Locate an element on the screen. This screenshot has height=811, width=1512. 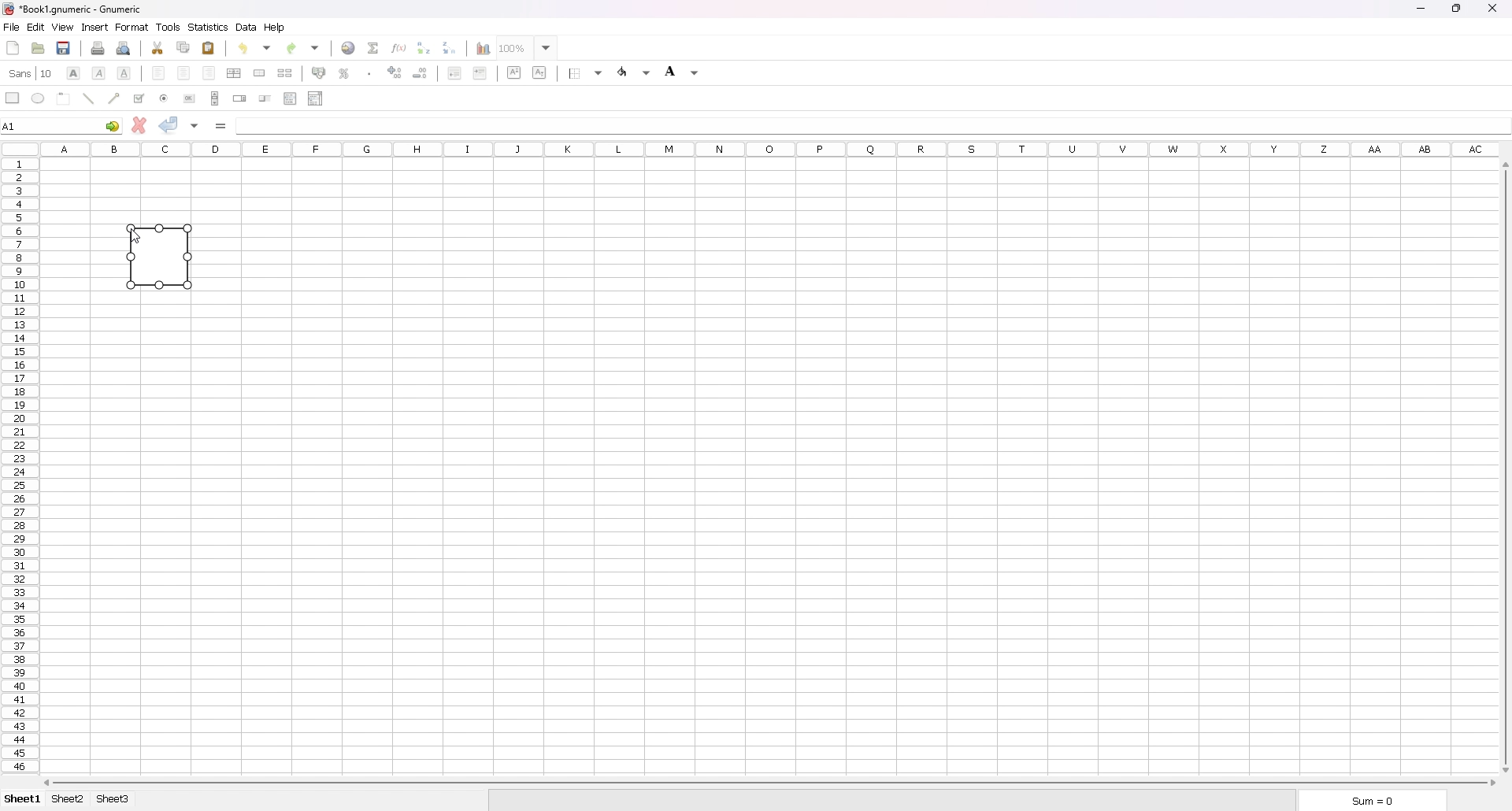
format is located at coordinates (133, 26).